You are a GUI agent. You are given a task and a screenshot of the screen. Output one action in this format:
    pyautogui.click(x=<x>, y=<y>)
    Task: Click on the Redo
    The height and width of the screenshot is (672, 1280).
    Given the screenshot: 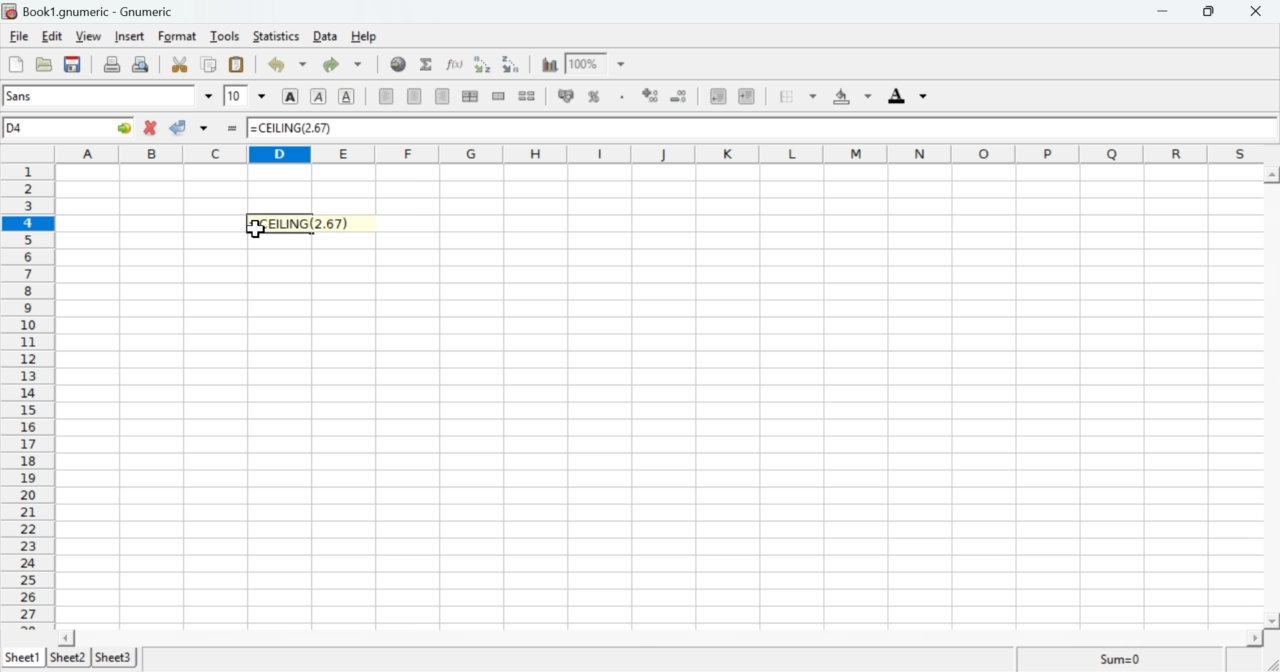 What is the action you would take?
    pyautogui.click(x=346, y=64)
    